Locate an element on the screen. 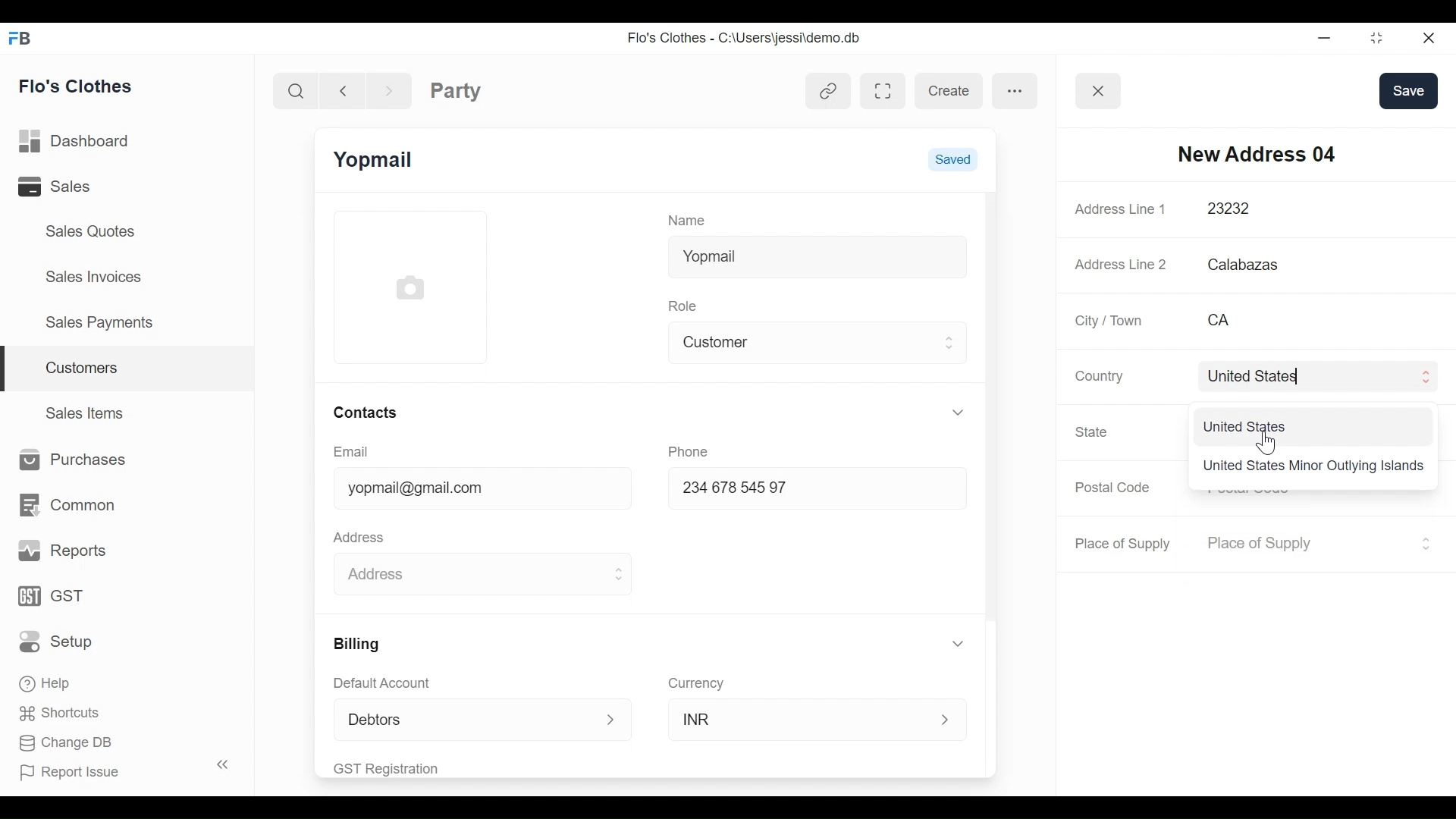 Image resolution: width=1456 pixels, height=819 pixels. Billing is located at coordinates (355, 644).